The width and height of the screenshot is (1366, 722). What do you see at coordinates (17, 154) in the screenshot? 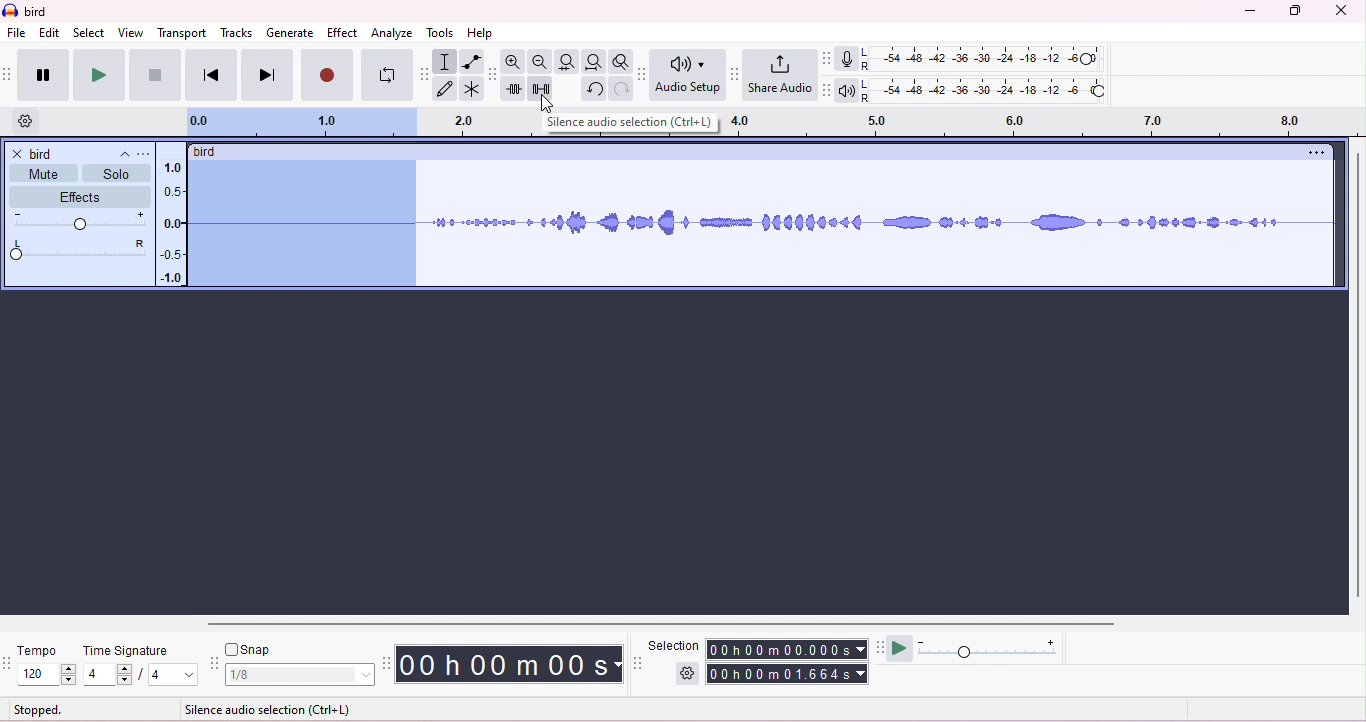
I see `close` at bounding box center [17, 154].